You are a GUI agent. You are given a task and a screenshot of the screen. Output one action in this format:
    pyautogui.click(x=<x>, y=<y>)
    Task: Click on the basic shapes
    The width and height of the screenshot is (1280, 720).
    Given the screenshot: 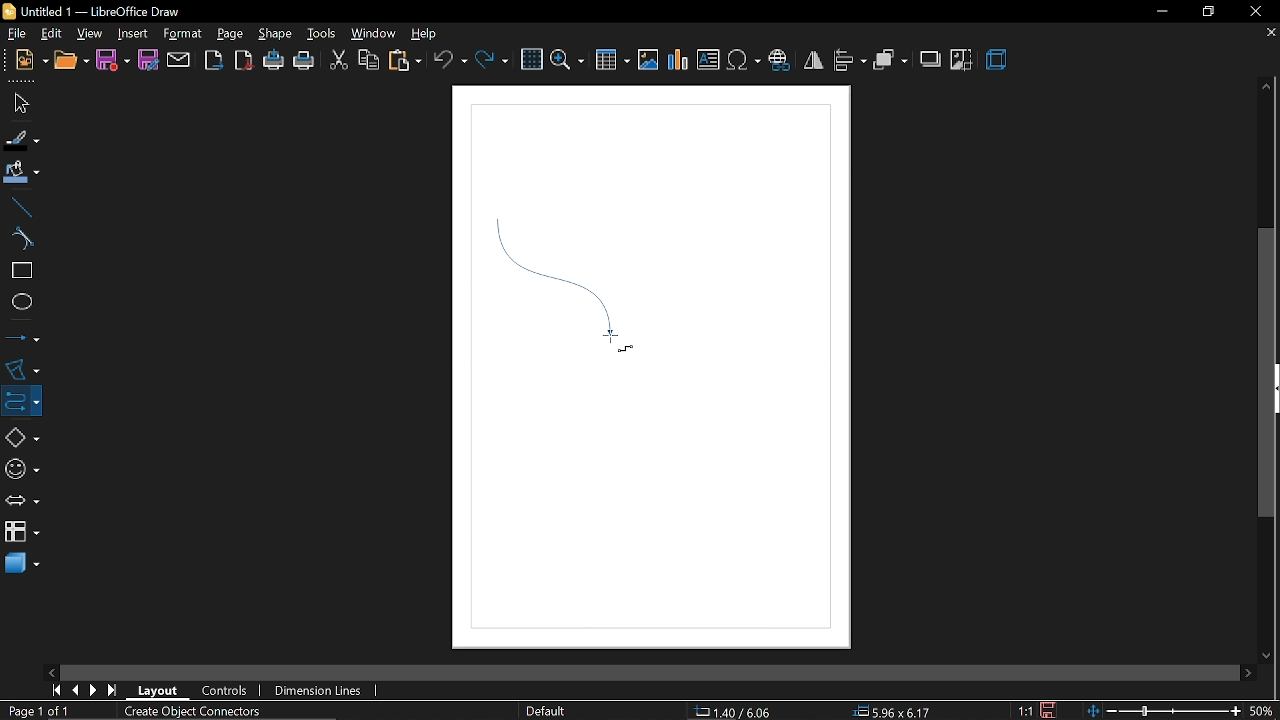 What is the action you would take?
    pyautogui.click(x=18, y=434)
    